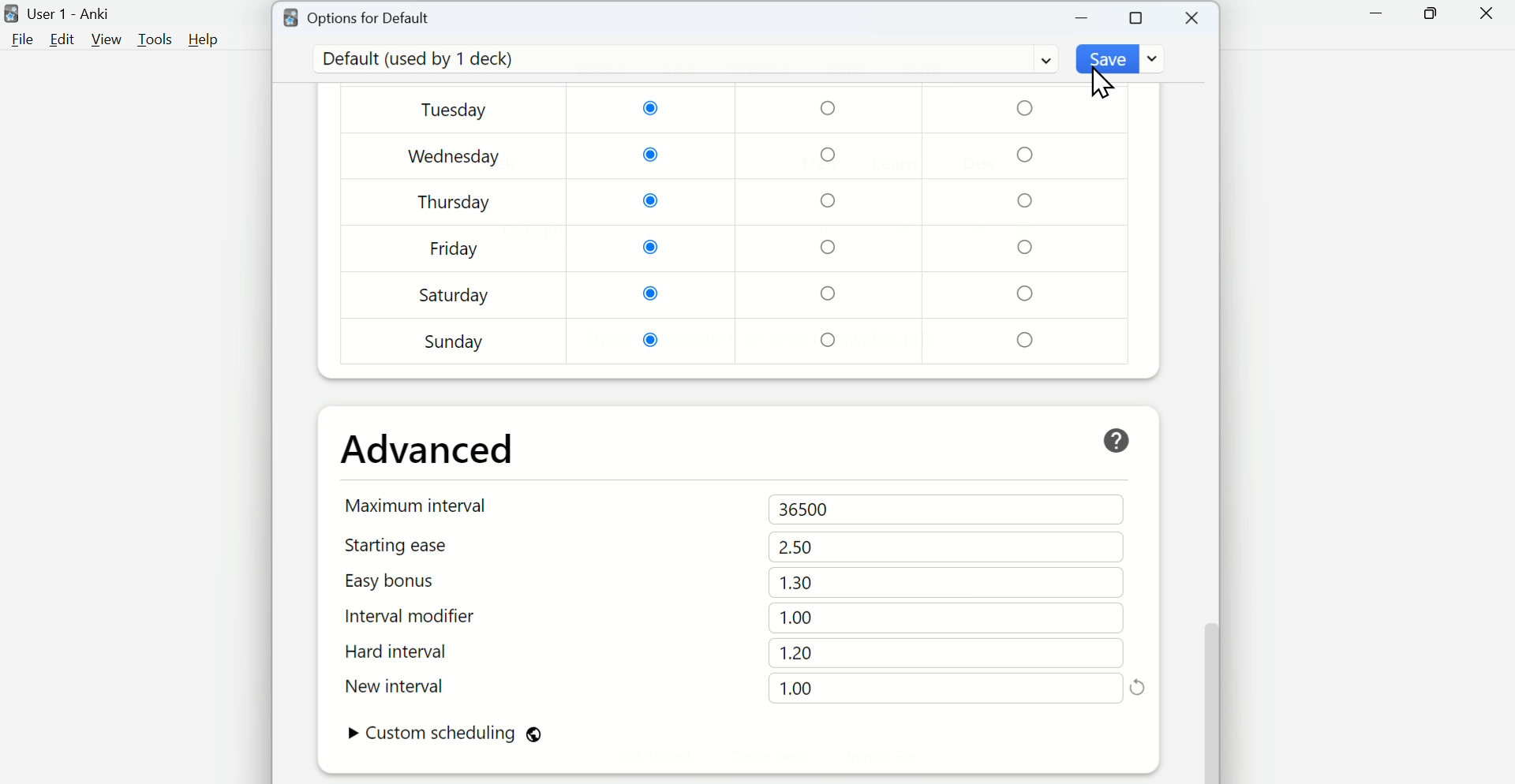 The image size is (1515, 784). I want to click on Thursday, so click(454, 202).